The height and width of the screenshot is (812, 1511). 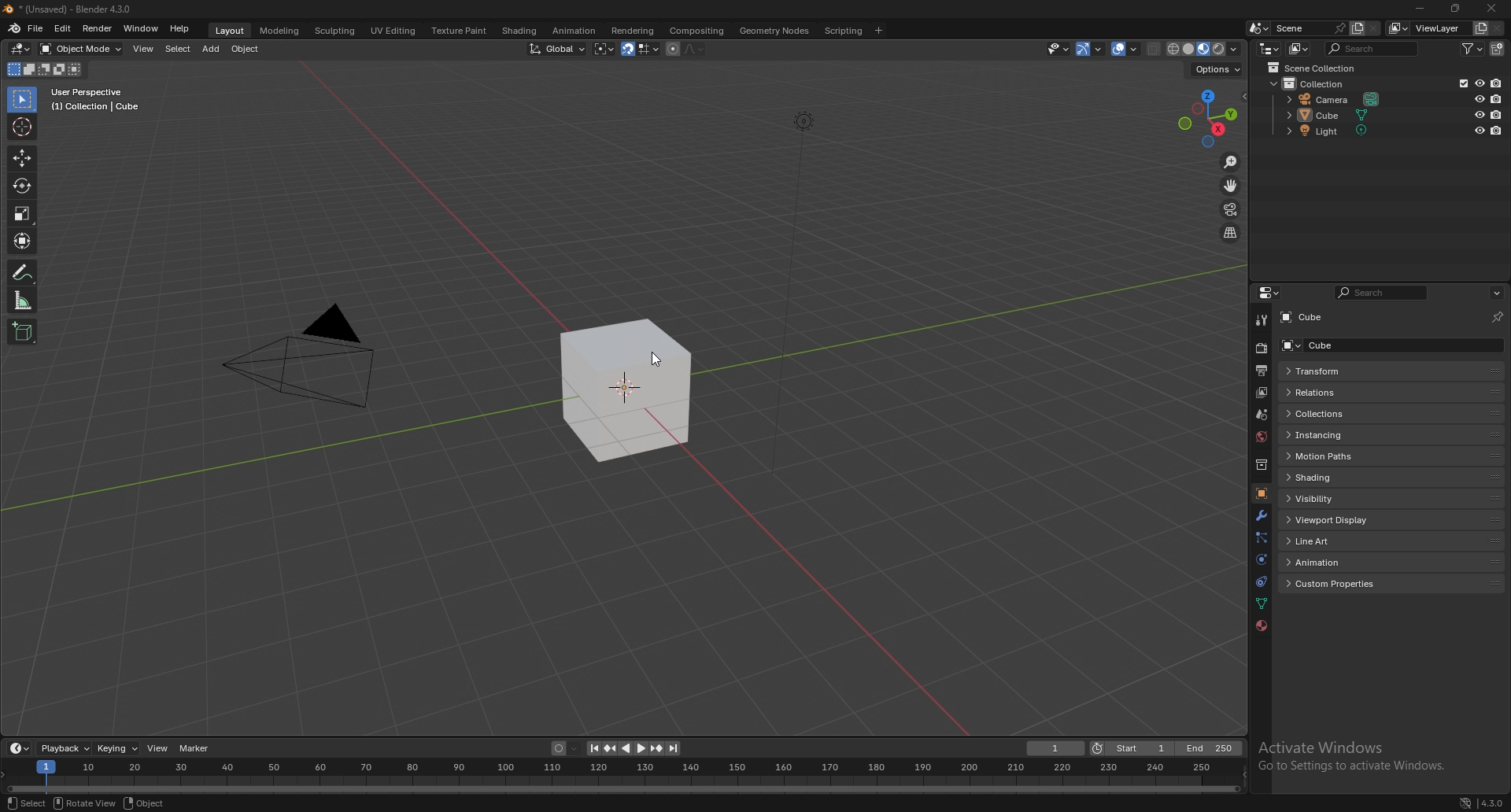 What do you see at coordinates (302, 362) in the screenshot?
I see `` at bounding box center [302, 362].